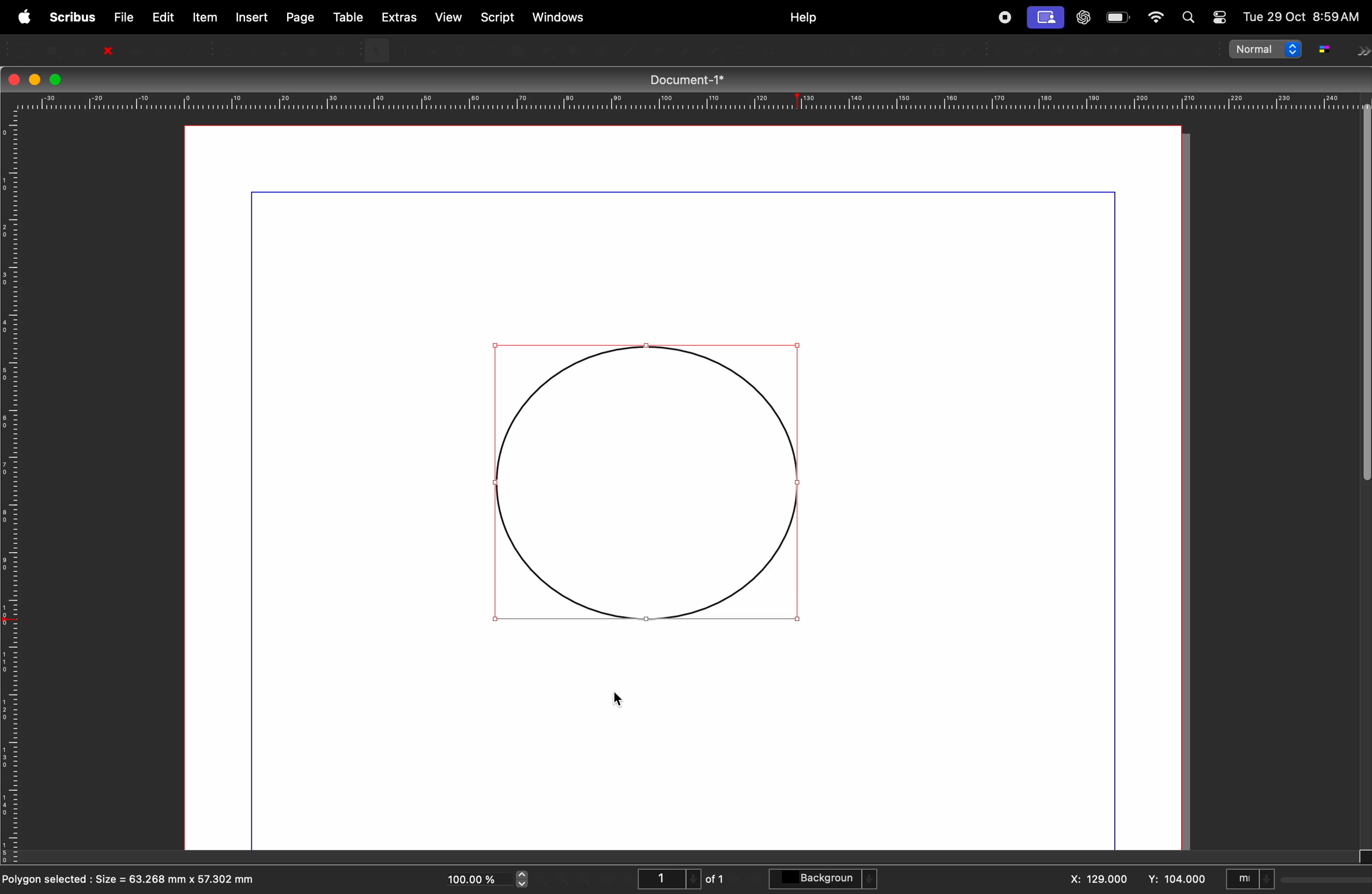  What do you see at coordinates (1324, 50) in the screenshot?
I see `g` at bounding box center [1324, 50].